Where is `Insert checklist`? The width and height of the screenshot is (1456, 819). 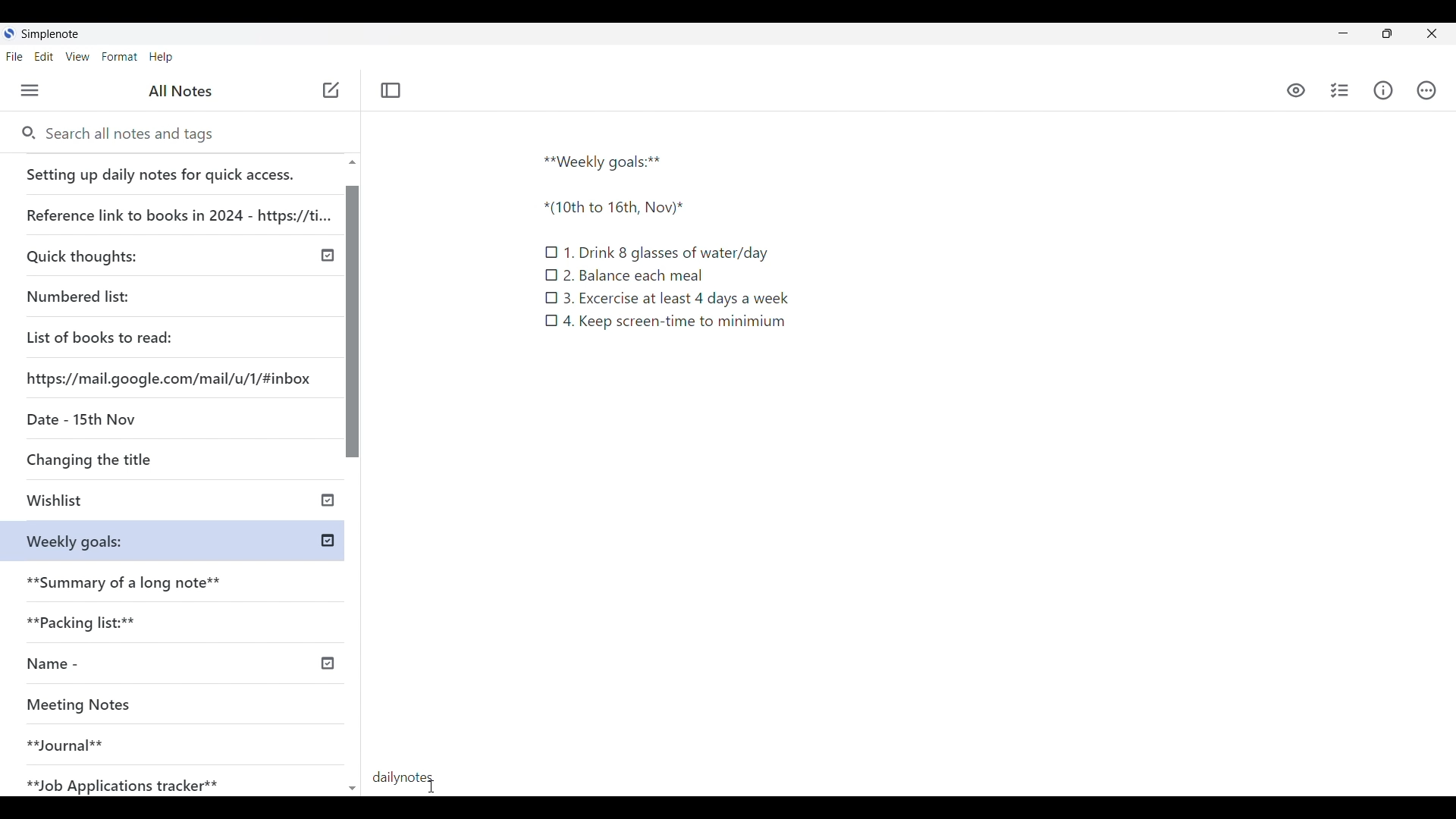 Insert checklist is located at coordinates (1339, 90).